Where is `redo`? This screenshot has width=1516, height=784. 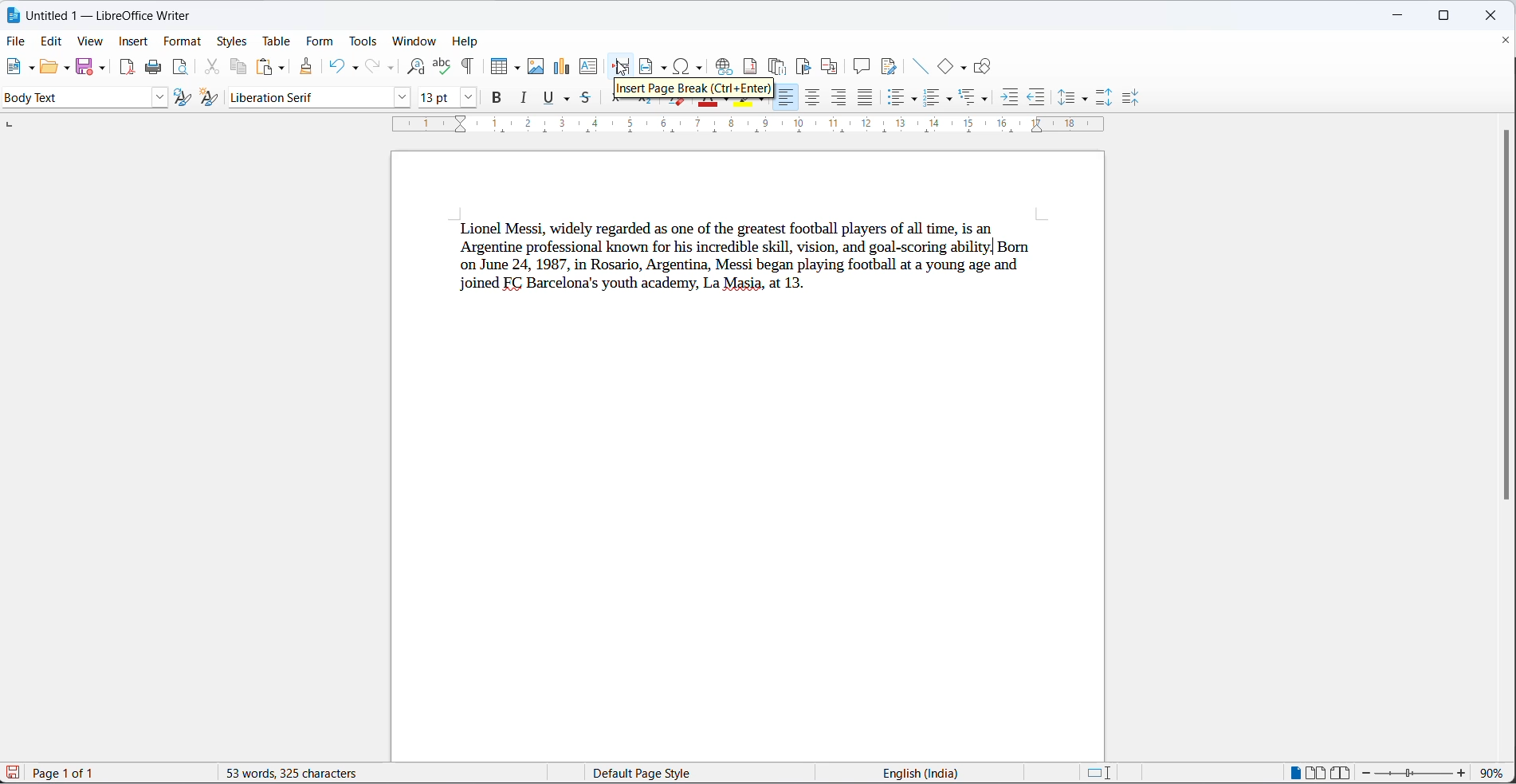
redo is located at coordinates (371, 67).